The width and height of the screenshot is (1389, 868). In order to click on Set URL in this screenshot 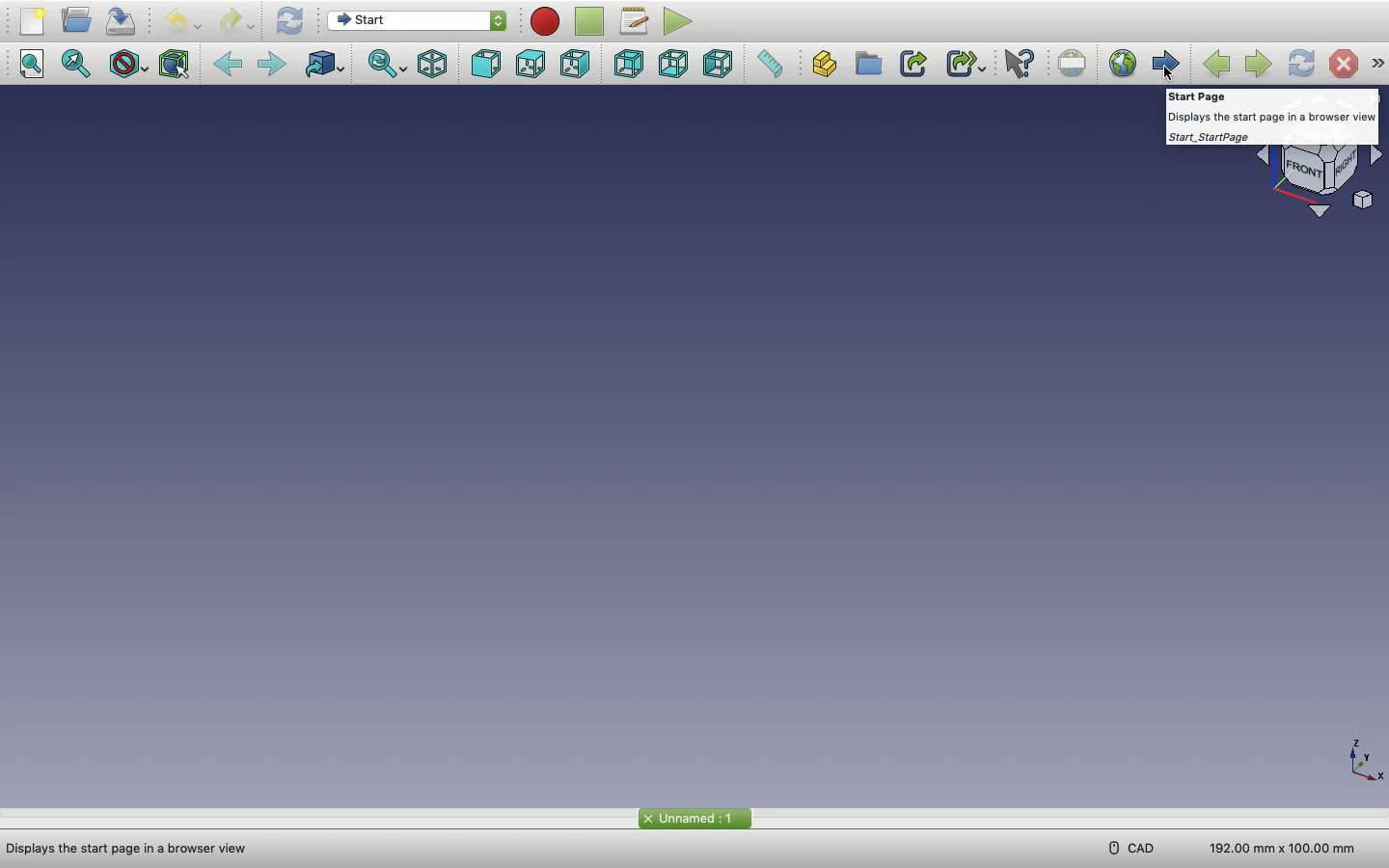, I will do `click(1073, 65)`.